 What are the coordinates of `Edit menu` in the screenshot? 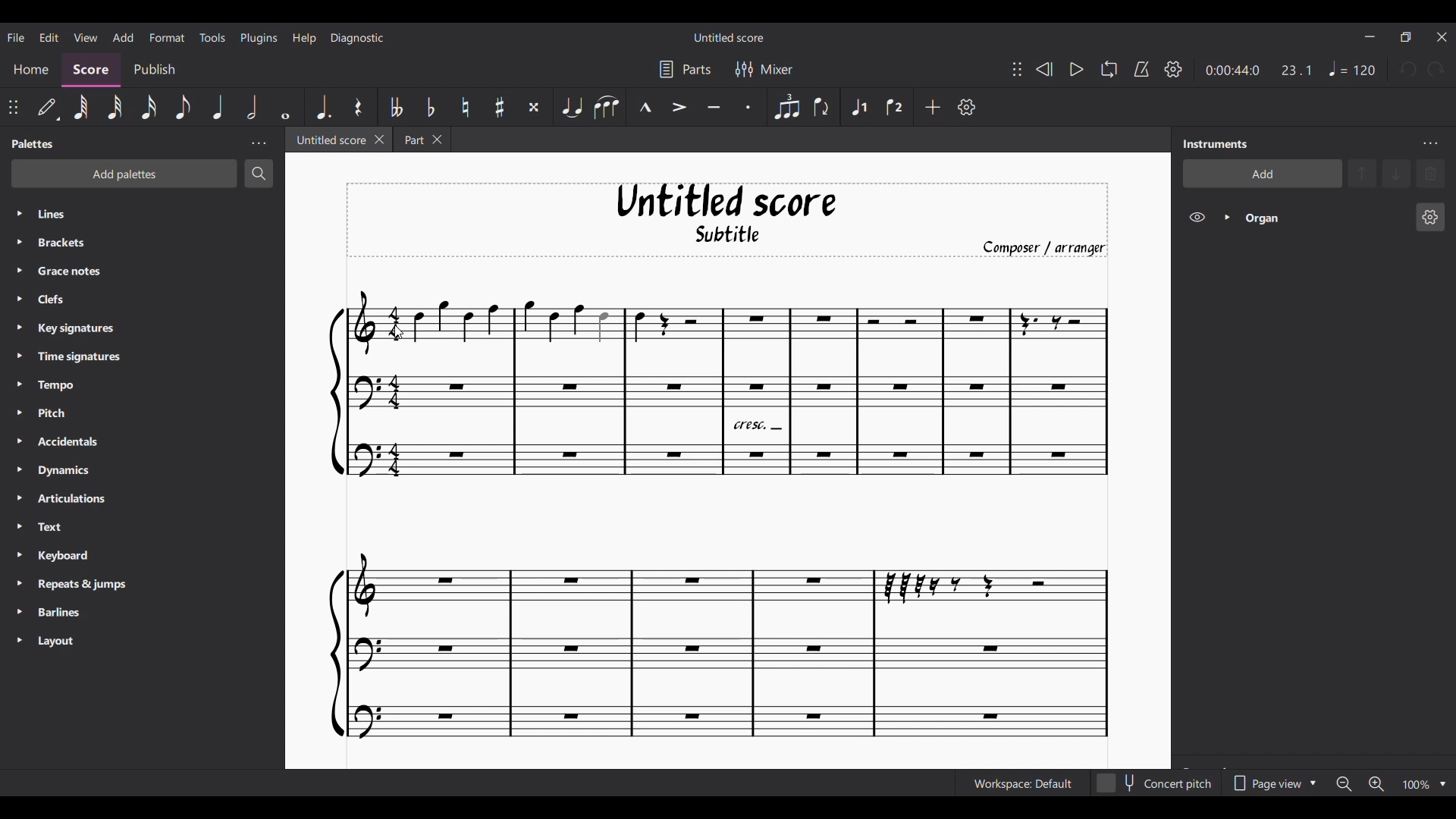 It's located at (49, 36).